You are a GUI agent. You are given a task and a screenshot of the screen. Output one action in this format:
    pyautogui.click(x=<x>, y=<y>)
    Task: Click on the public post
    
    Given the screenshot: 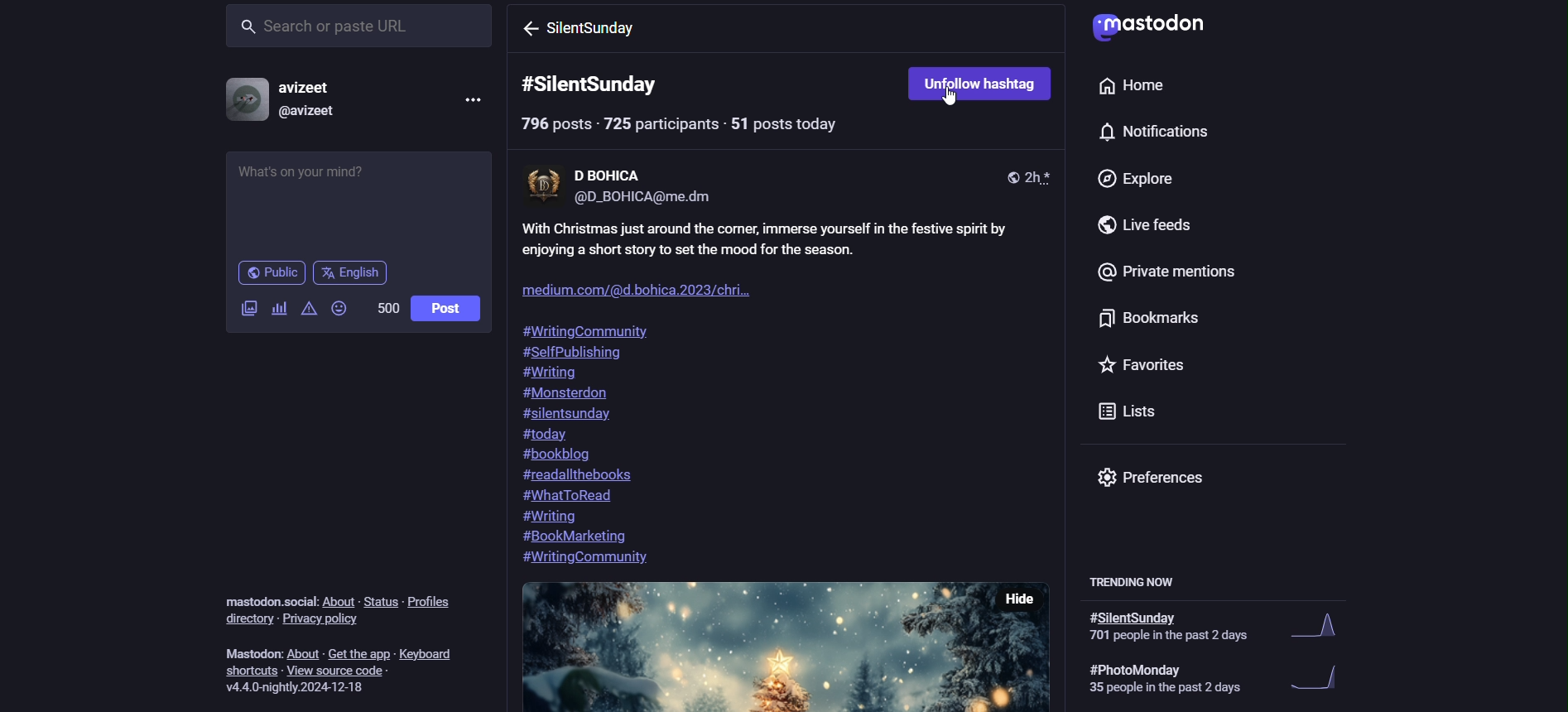 What is the action you would take?
    pyautogui.click(x=1002, y=175)
    